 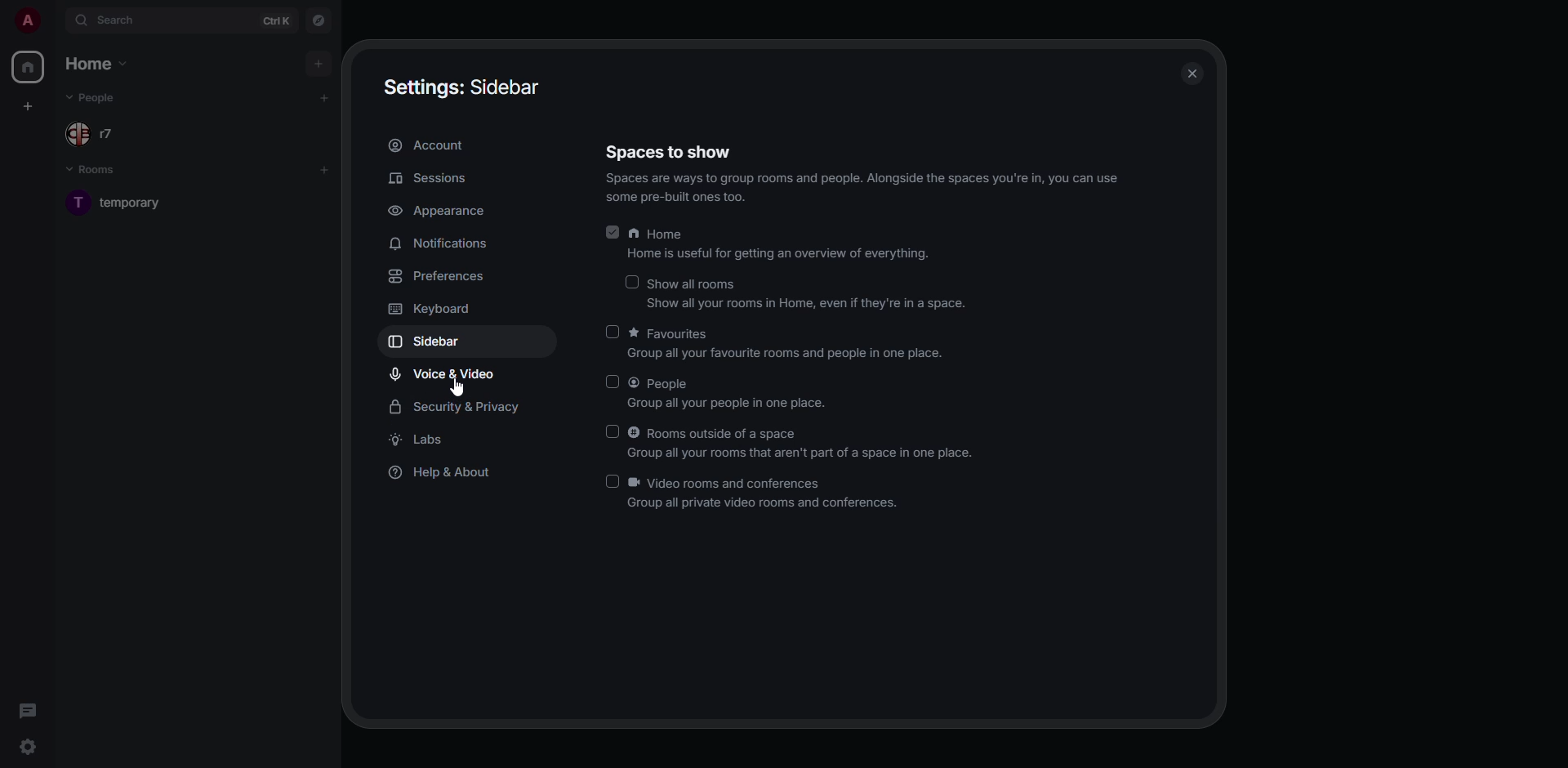 I want to click on labs, so click(x=420, y=440).